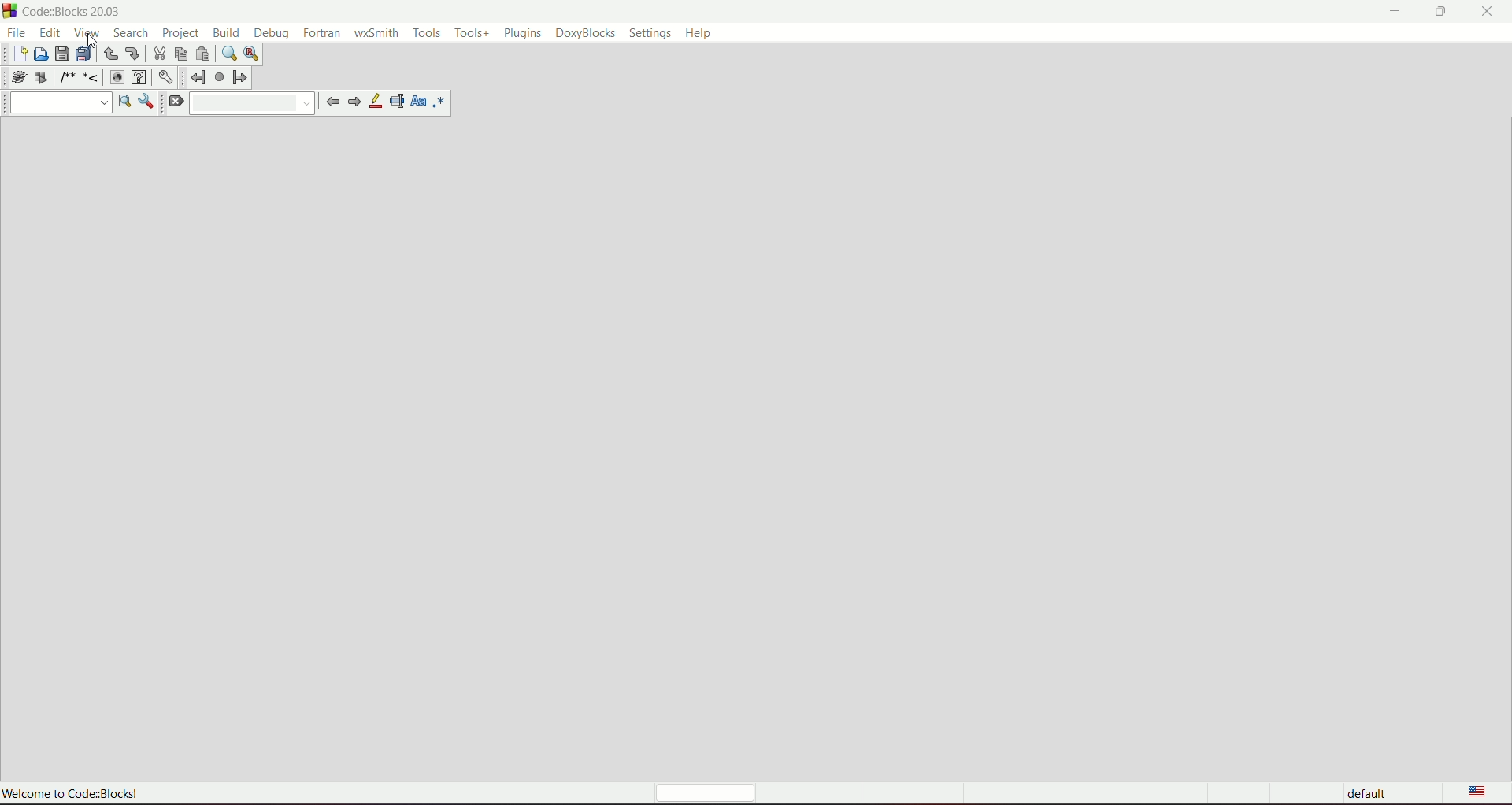 This screenshot has height=805, width=1512. Describe the element at coordinates (206, 54) in the screenshot. I see `paste` at that location.